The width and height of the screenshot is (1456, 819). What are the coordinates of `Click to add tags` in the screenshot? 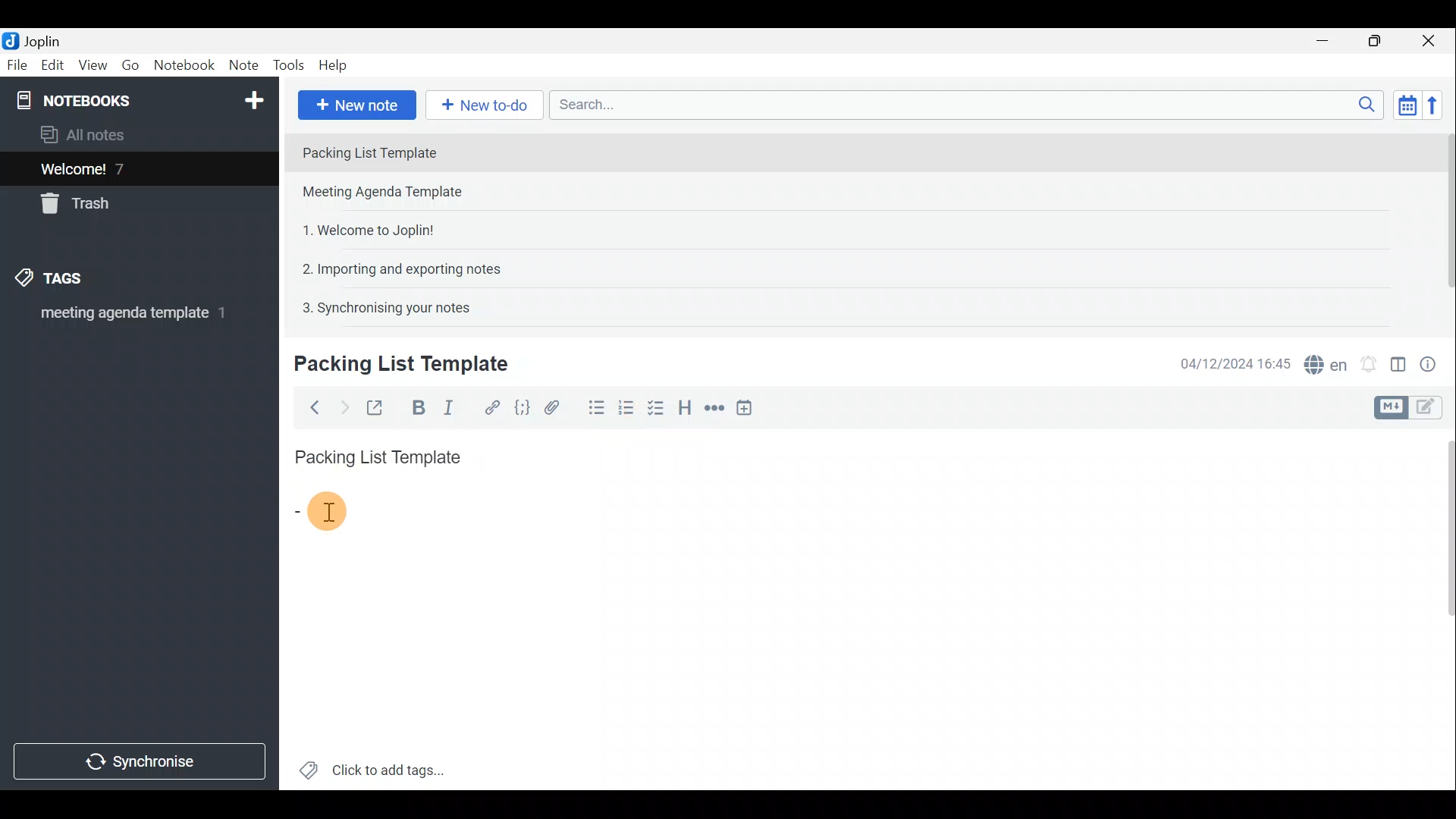 It's located at (372, 766).